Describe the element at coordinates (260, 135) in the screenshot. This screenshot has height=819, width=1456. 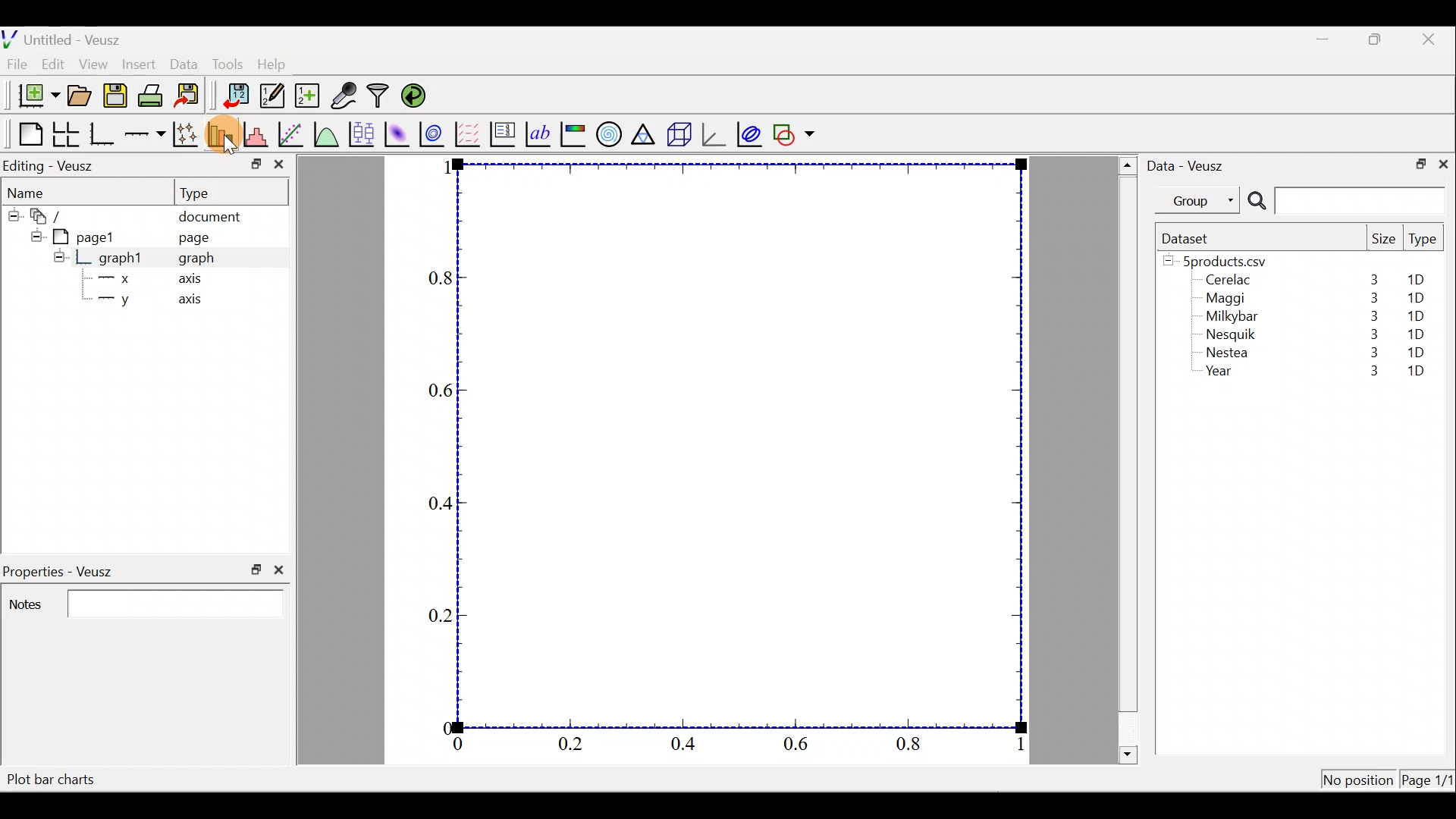
I see `Histogram of a dataset` at that location.